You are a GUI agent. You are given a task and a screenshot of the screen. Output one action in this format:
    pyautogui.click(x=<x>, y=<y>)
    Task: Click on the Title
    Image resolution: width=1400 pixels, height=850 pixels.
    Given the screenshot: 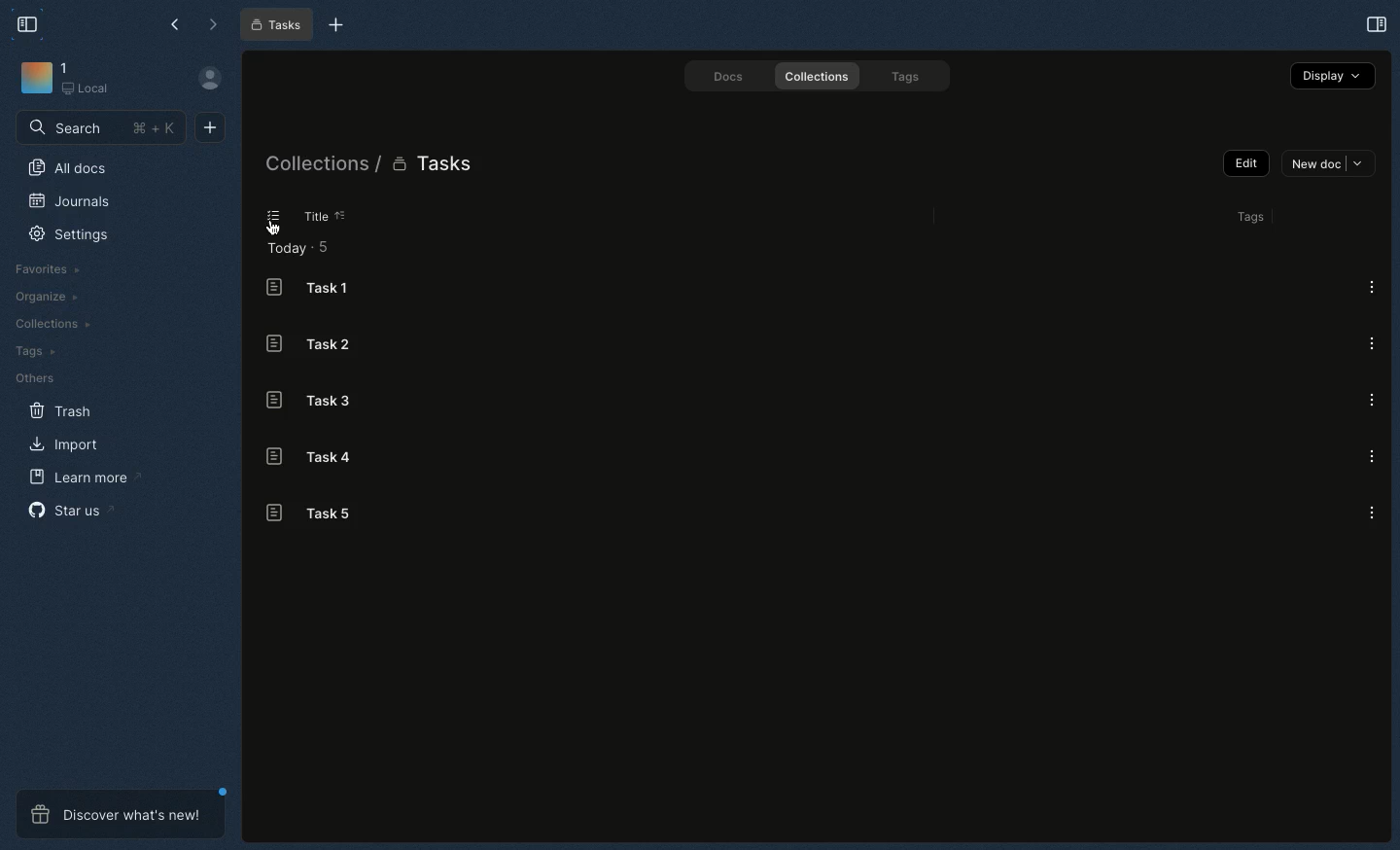 What is the action you would take?
    pyautogui.click(x=314, y=217)
    